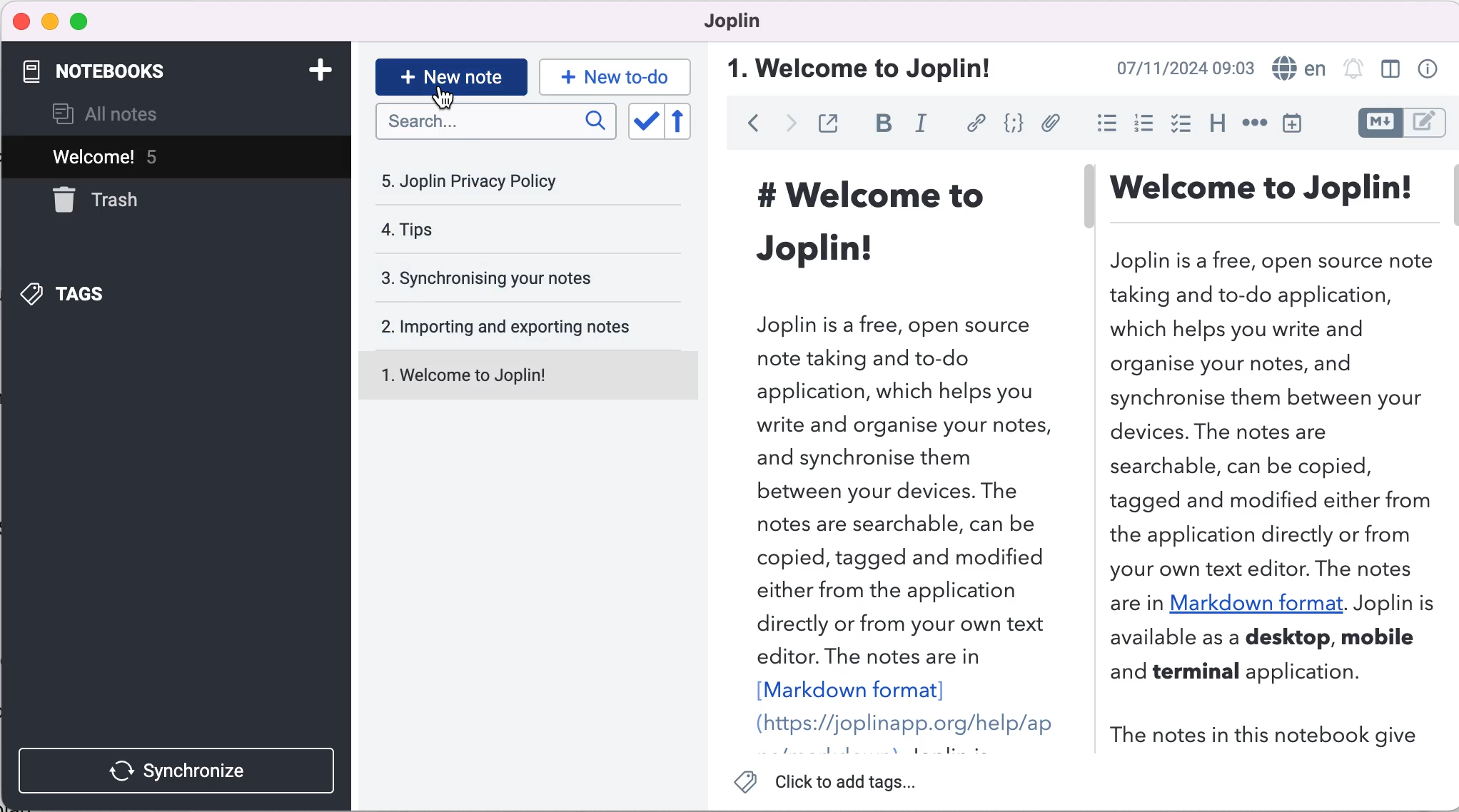 Image resolution: width=1459 pixels, height=812 pixels. I want to click on Welcome! 5, so click(143, 159).